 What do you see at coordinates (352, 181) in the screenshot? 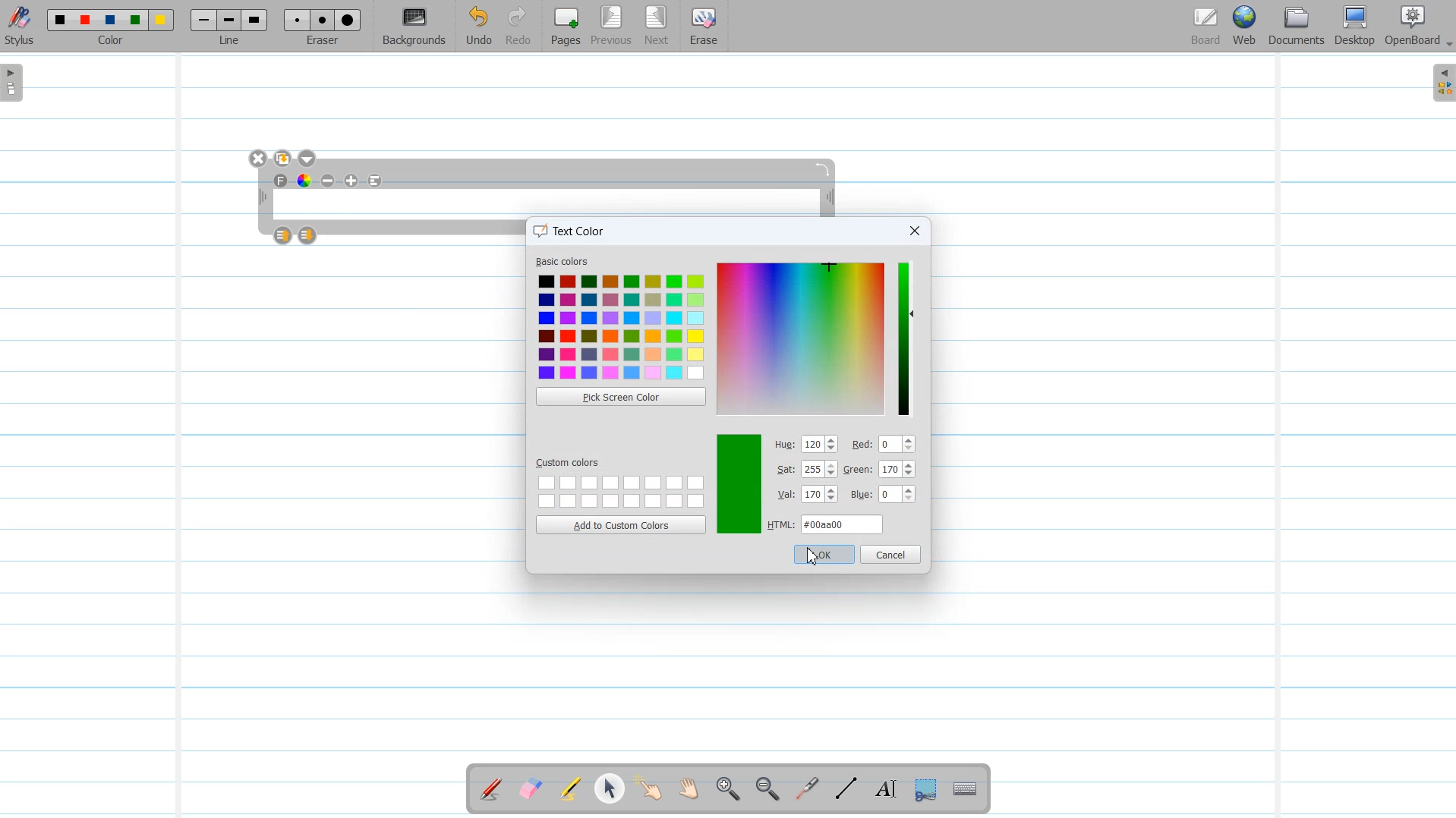
I see `Maximize Text` at bounding box center [352, 181].